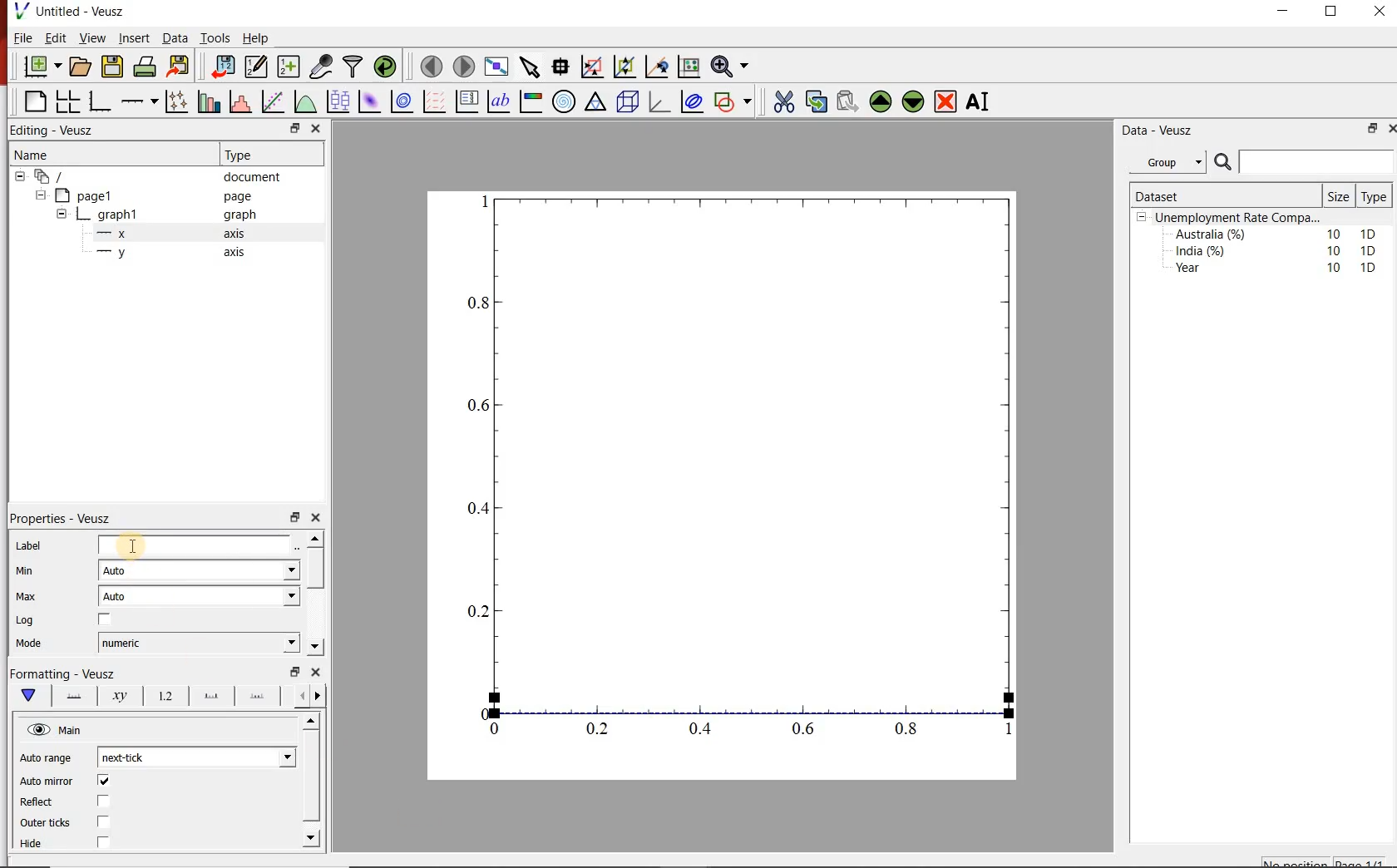 The width and height of the screenshot is (1397, 868). I want to click on Auto mirror, so click(48, 782).